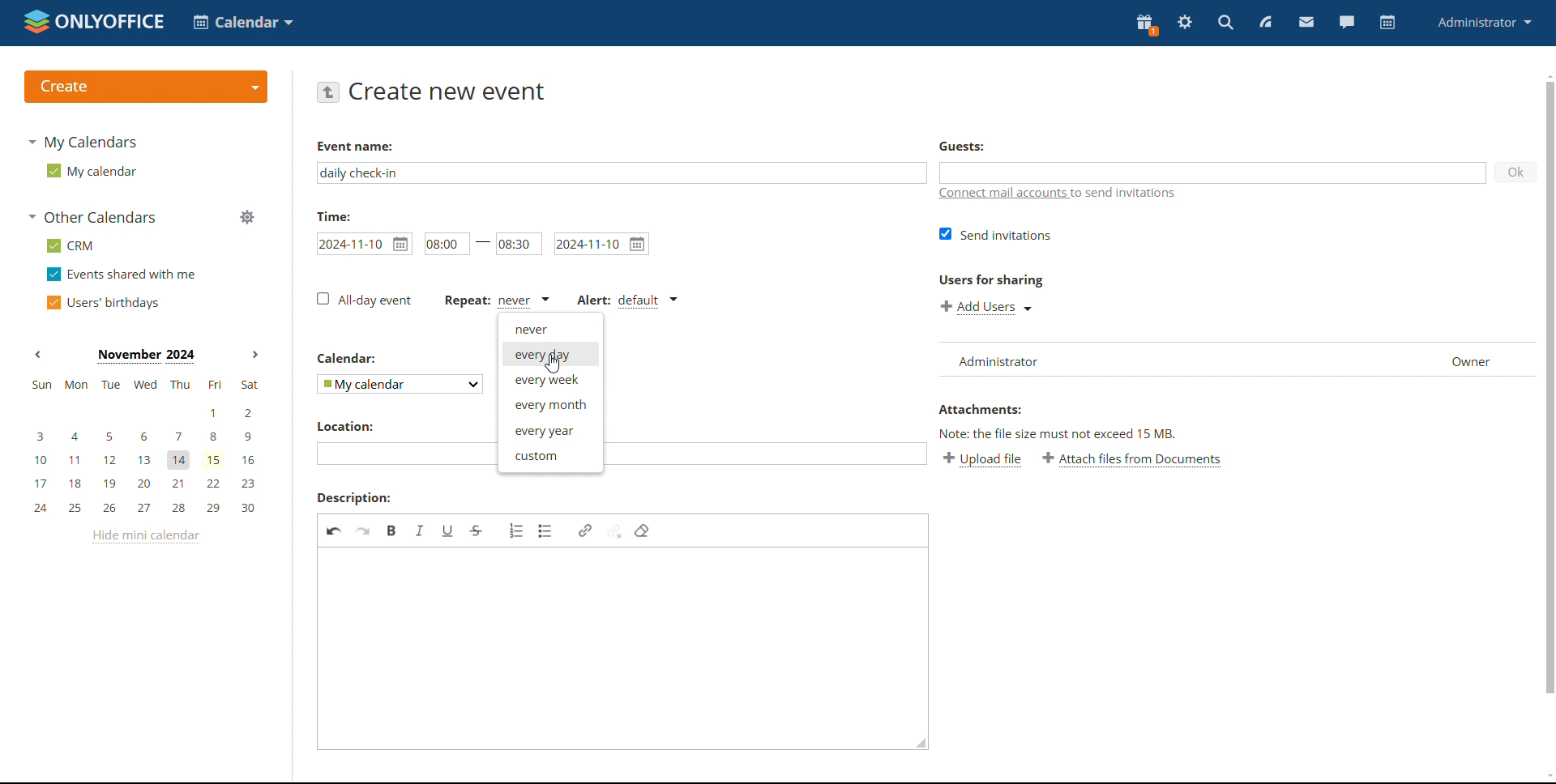 The image size is (1556, 784). Describe the element at coordinates (1225, 23) in the screenshot. I see `search` at that location.